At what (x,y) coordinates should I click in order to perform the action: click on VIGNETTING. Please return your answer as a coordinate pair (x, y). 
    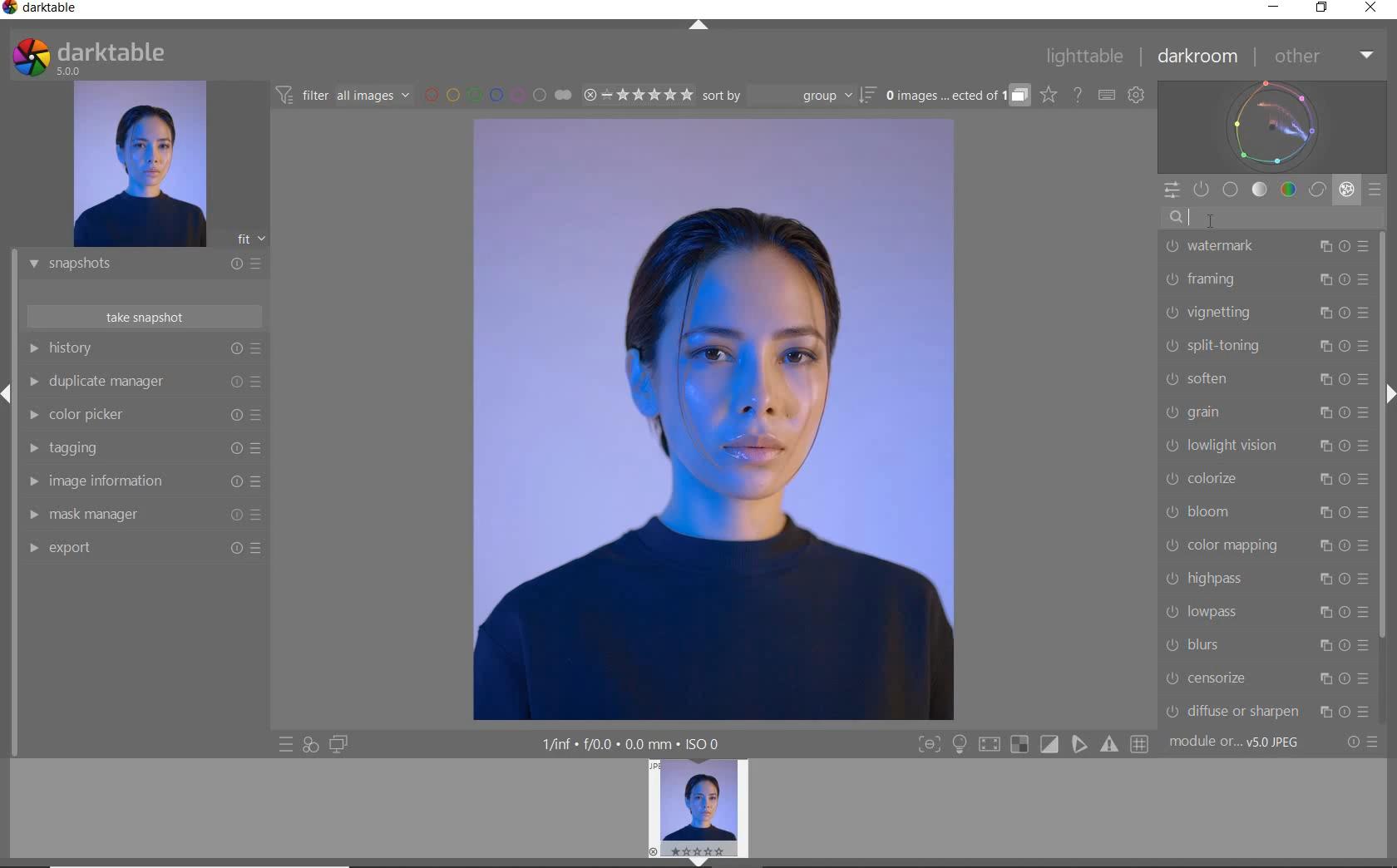
    Looking at the image, I should click on (1265, 312).